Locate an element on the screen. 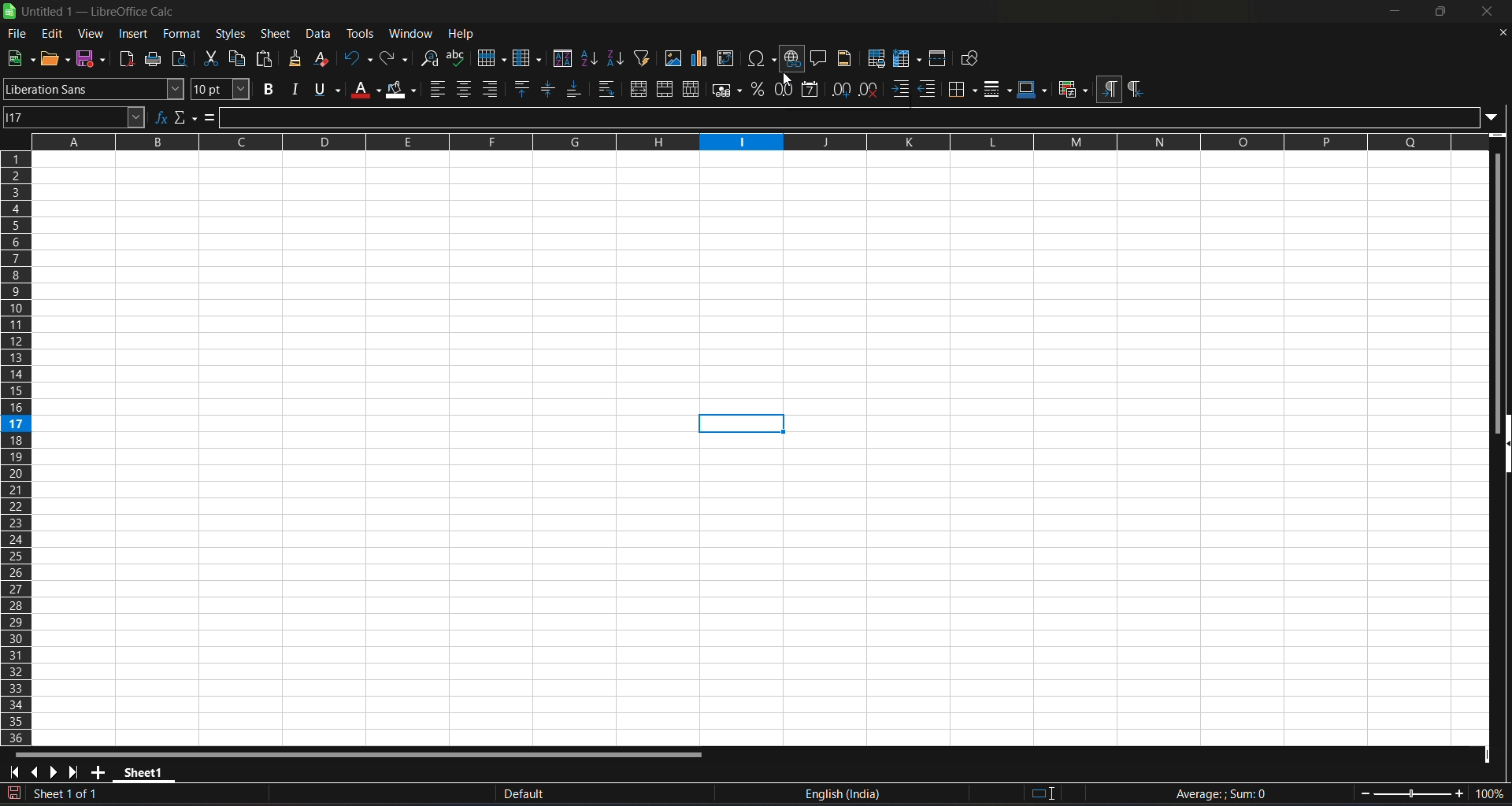 This screenshot has height=806, width=1512. scroll to previous sheet is located at coordinates (35, 772).